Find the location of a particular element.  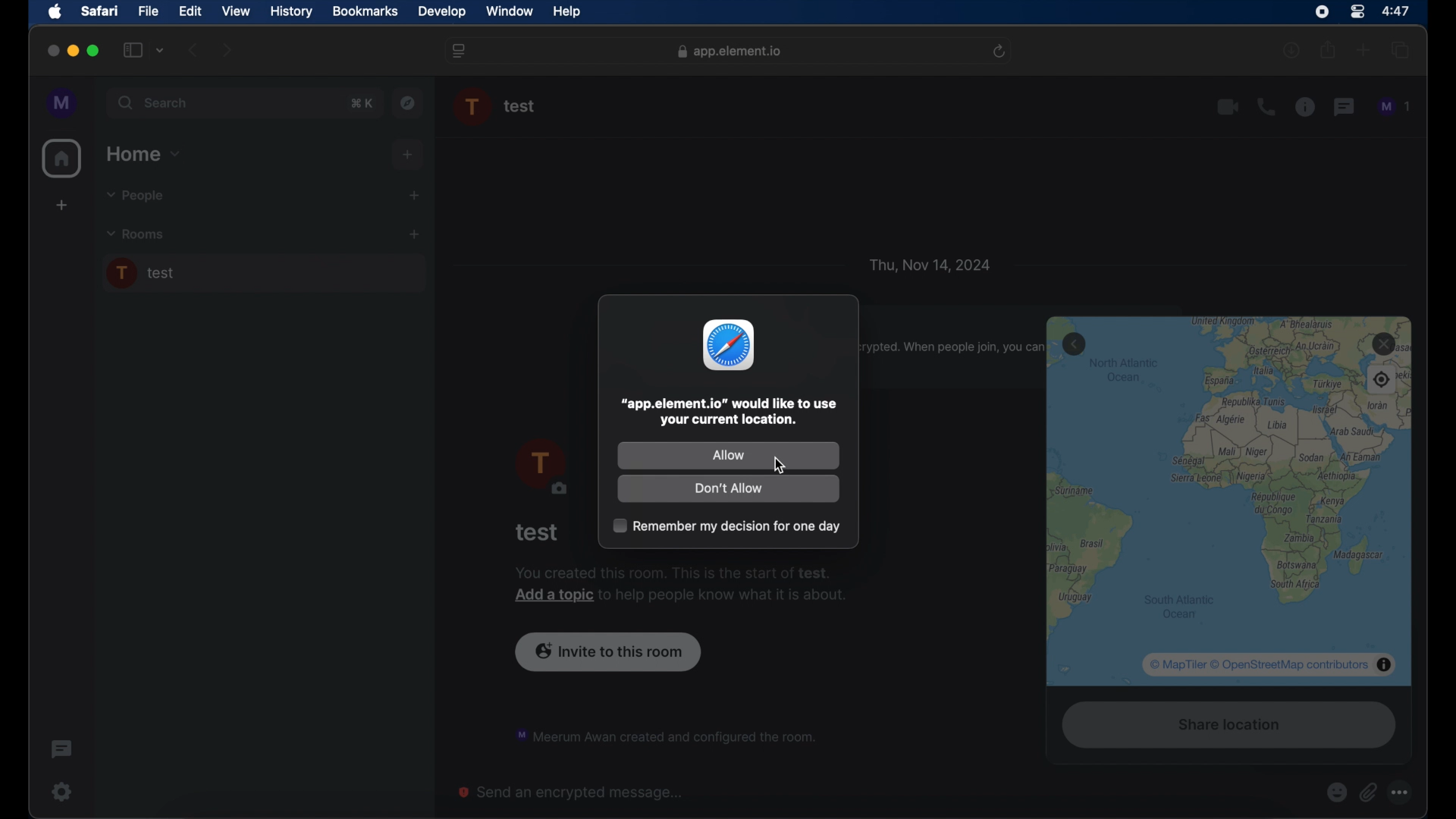

home dropdown is located at coordinates (145, 154).